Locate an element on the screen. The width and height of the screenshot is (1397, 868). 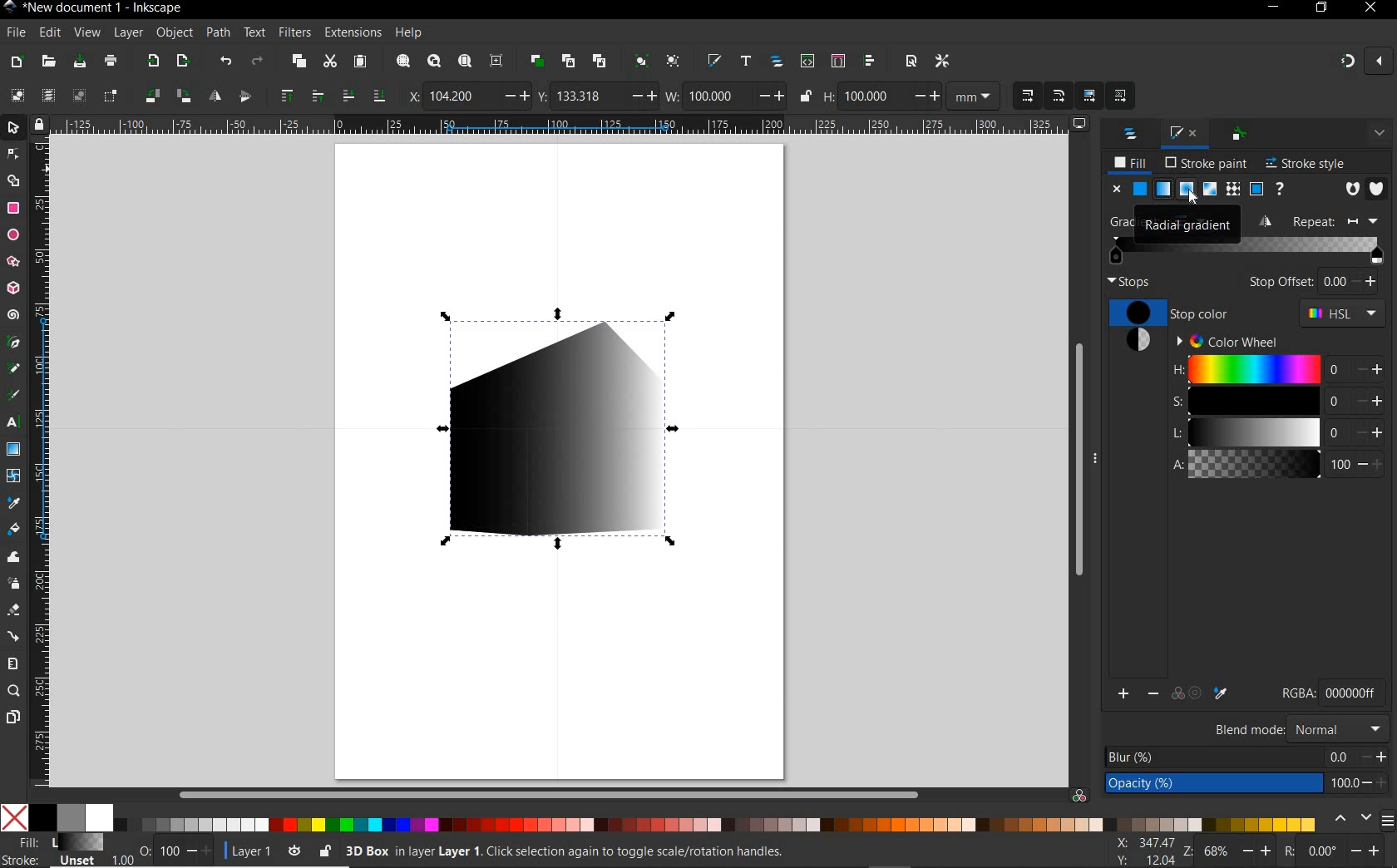
BLUR & OPACITY is located at coordinates (1212, 770).